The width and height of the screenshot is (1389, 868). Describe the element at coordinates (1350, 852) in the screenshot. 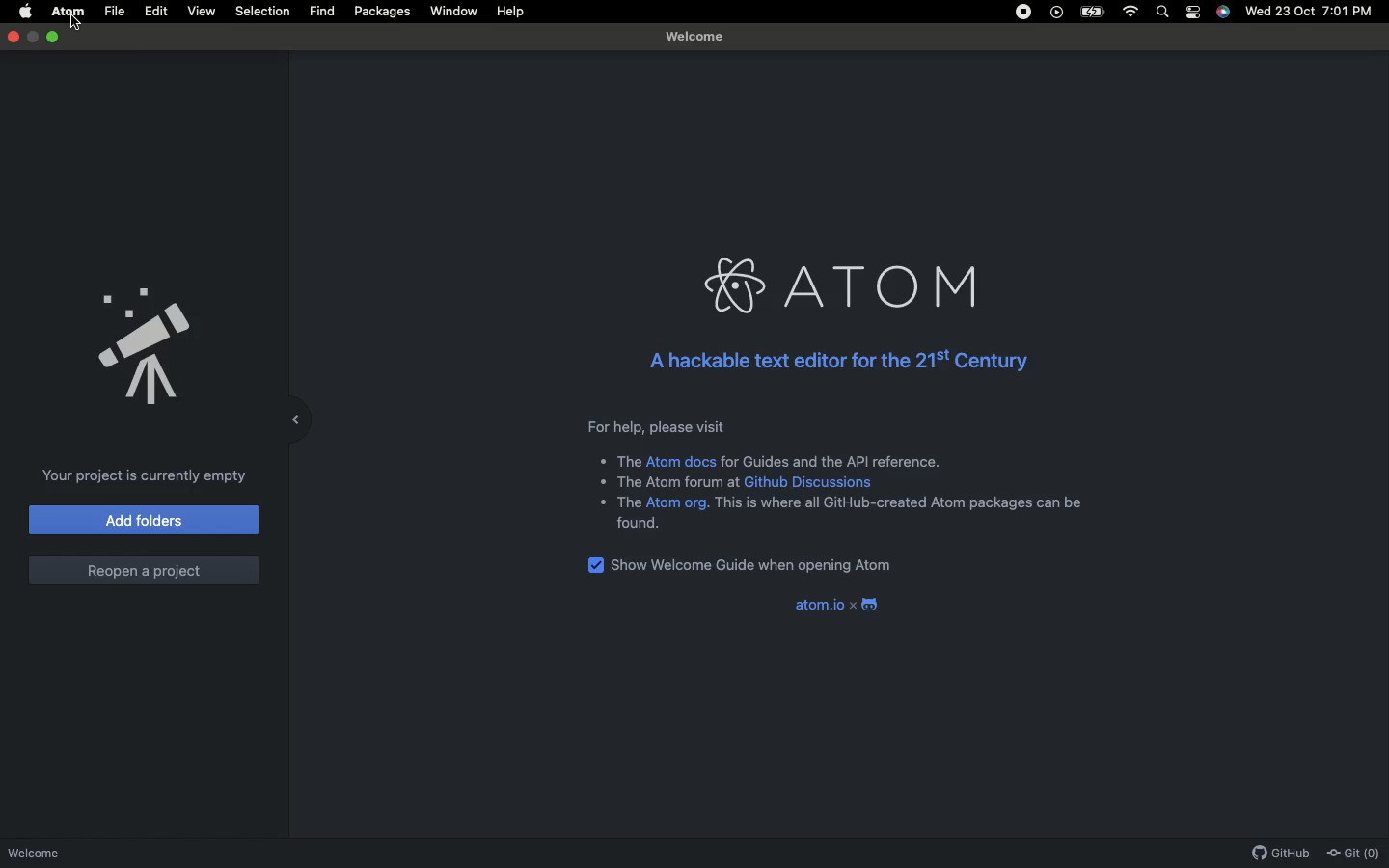

I see `Git(0)` at that location.